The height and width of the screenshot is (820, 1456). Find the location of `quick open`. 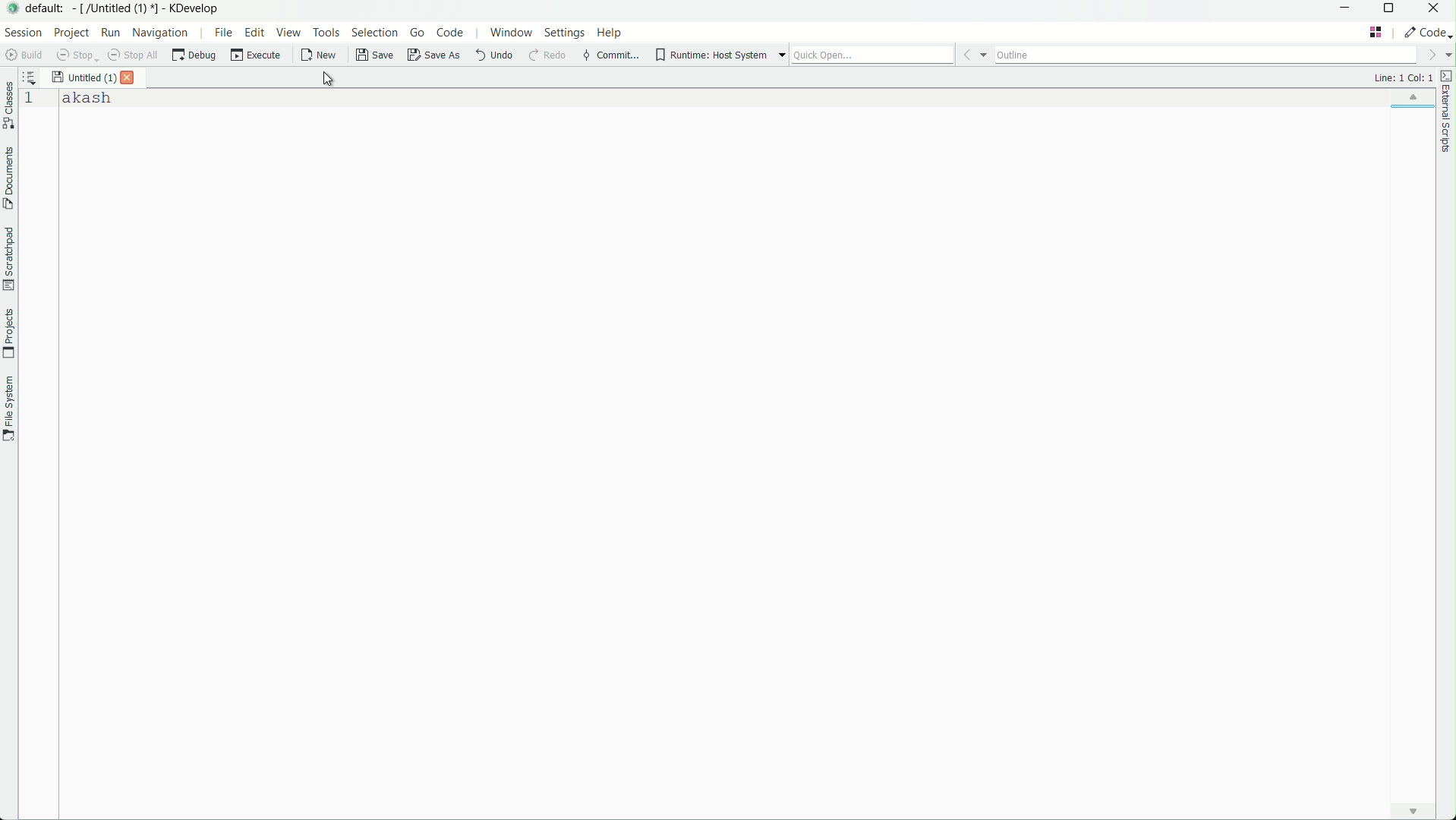

quick open is located at coordinates (873, 55).